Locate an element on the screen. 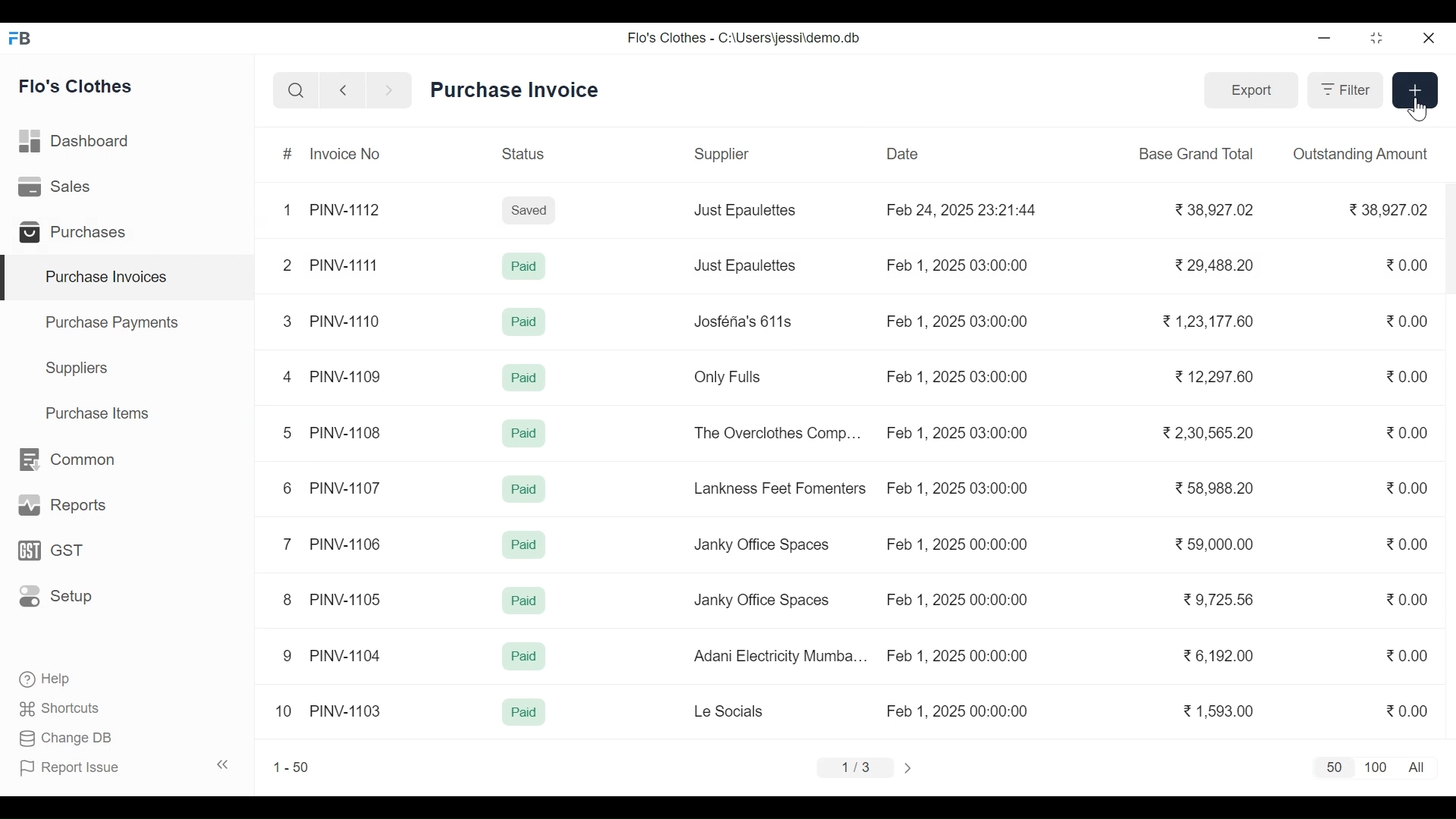 Image resolution: width=1456 pixels, height=819 pixels. Change DB is located at coordinates (67, 738).